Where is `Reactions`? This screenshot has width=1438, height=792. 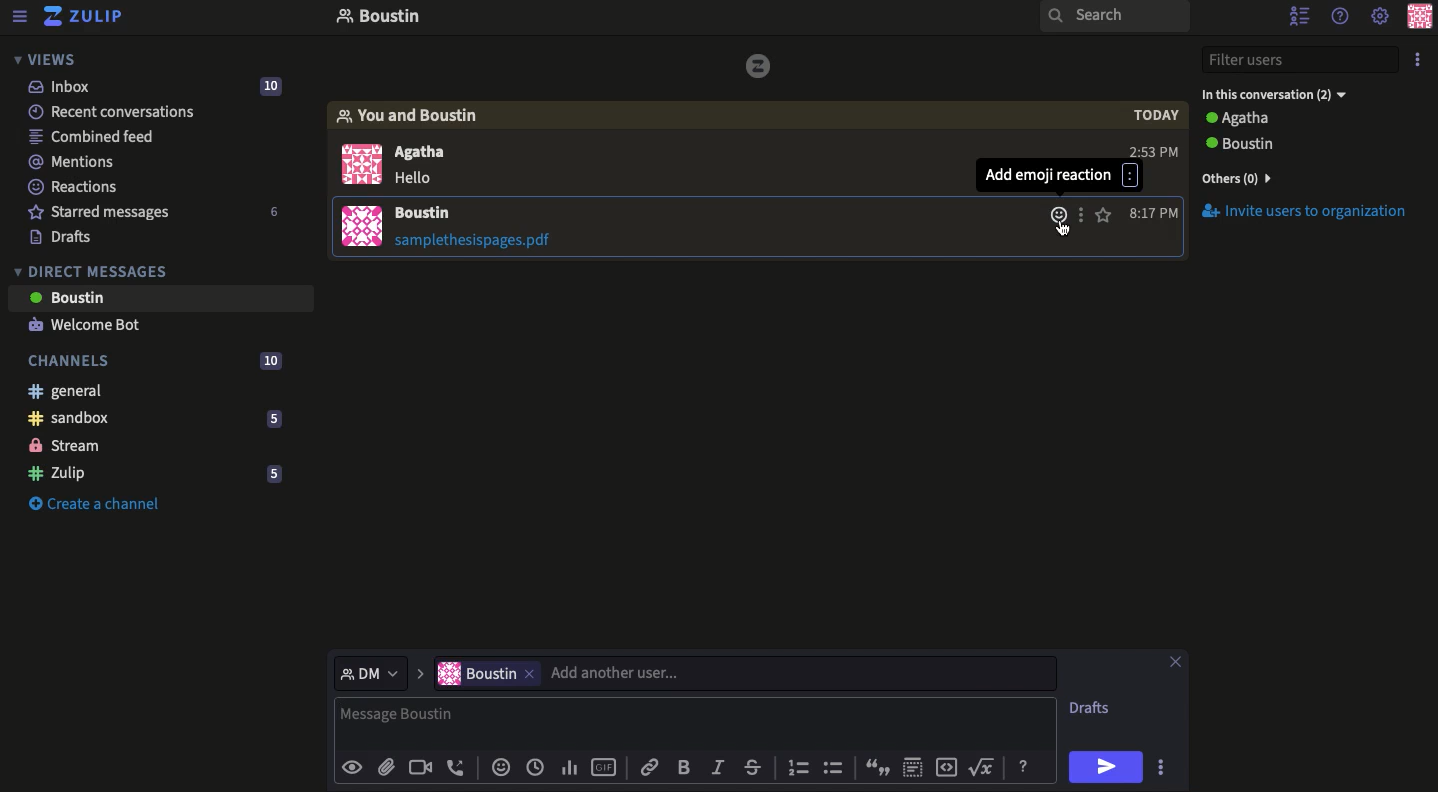
Reactions is located at coordinates (75, 189).